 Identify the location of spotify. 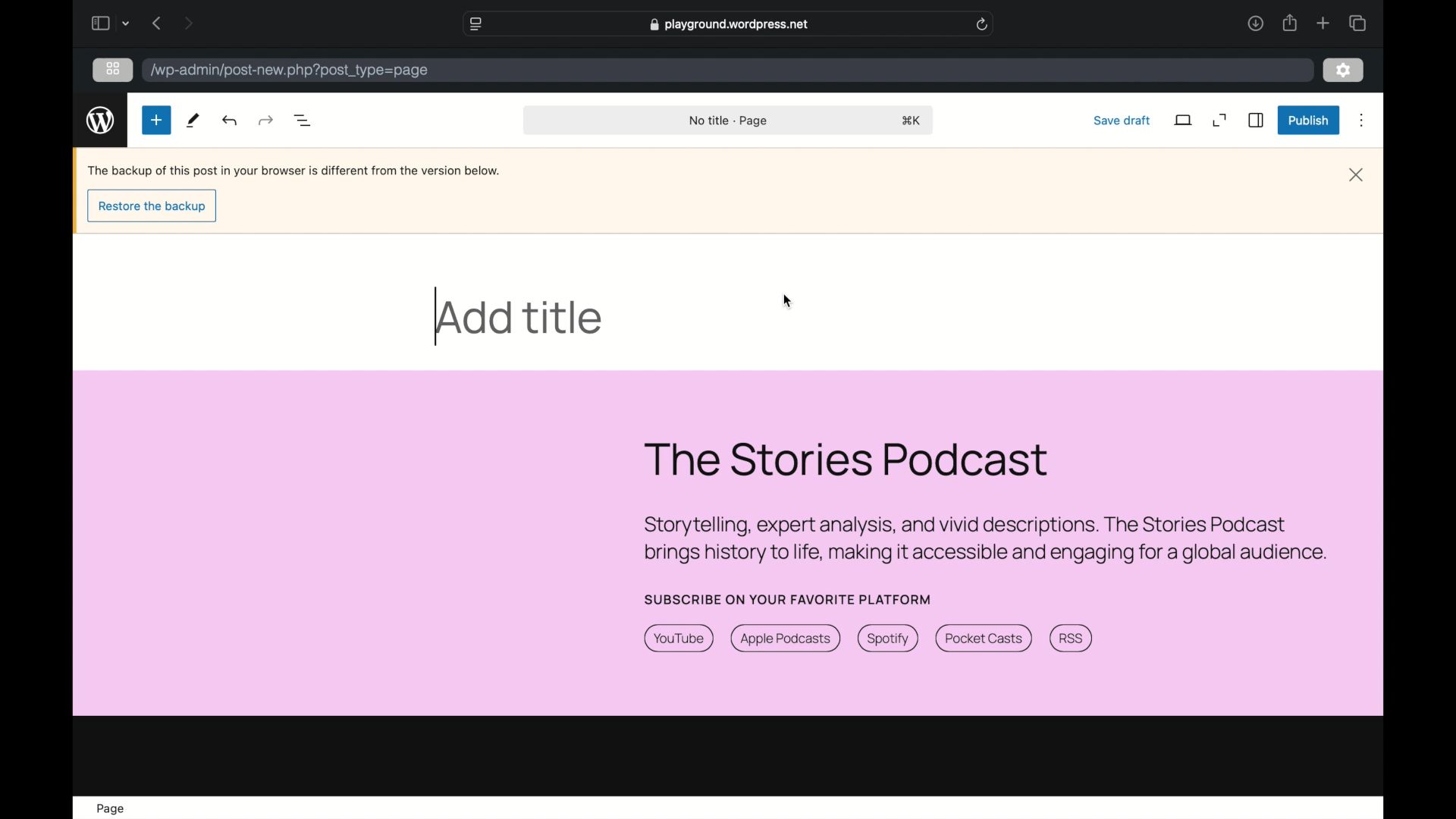
(888, 639).